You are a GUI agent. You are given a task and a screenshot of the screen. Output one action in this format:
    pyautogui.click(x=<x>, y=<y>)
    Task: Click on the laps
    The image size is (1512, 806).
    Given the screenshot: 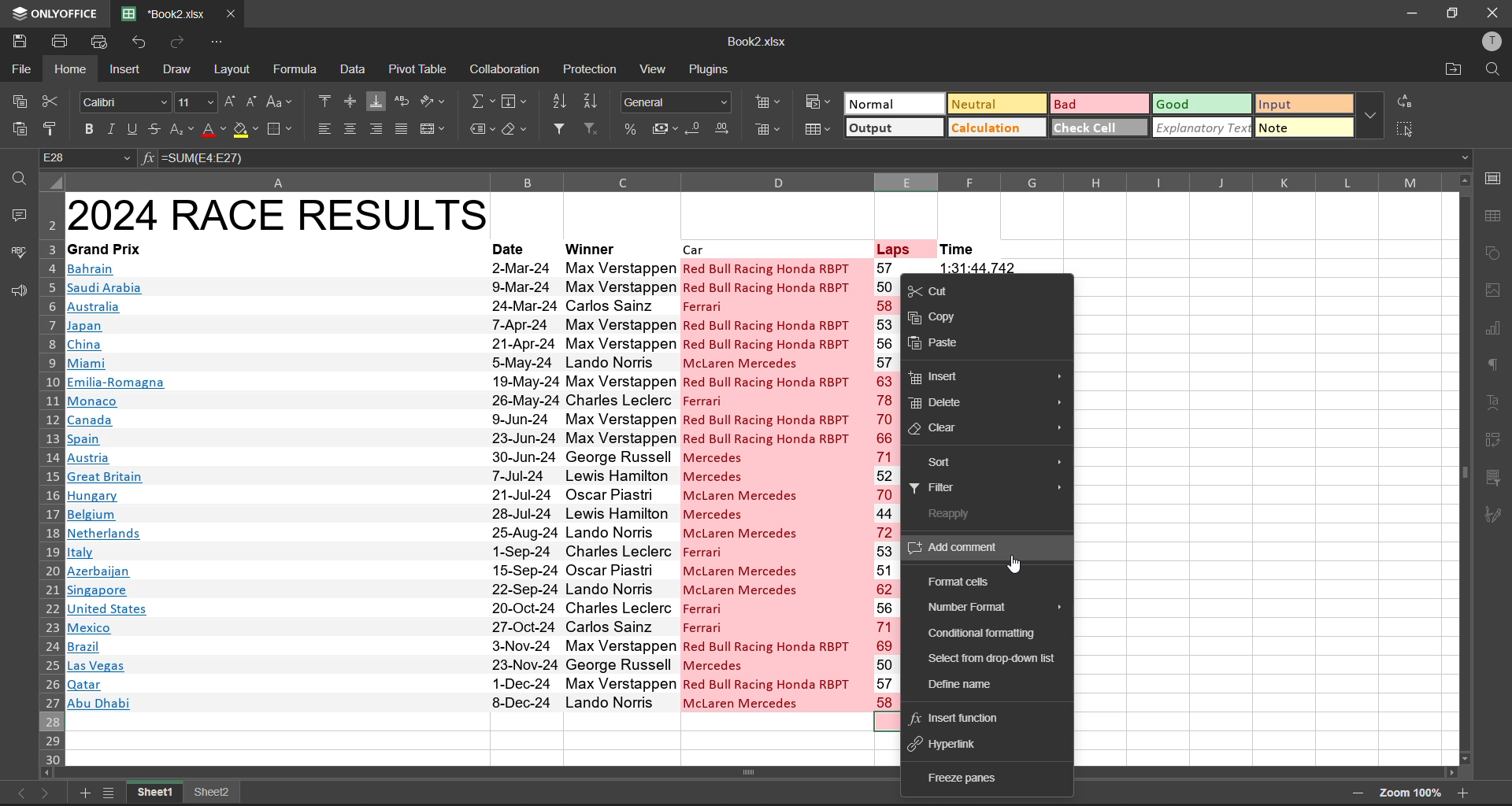 What is the action you would take?
    pyautogui.click(x=896, y=248)
    